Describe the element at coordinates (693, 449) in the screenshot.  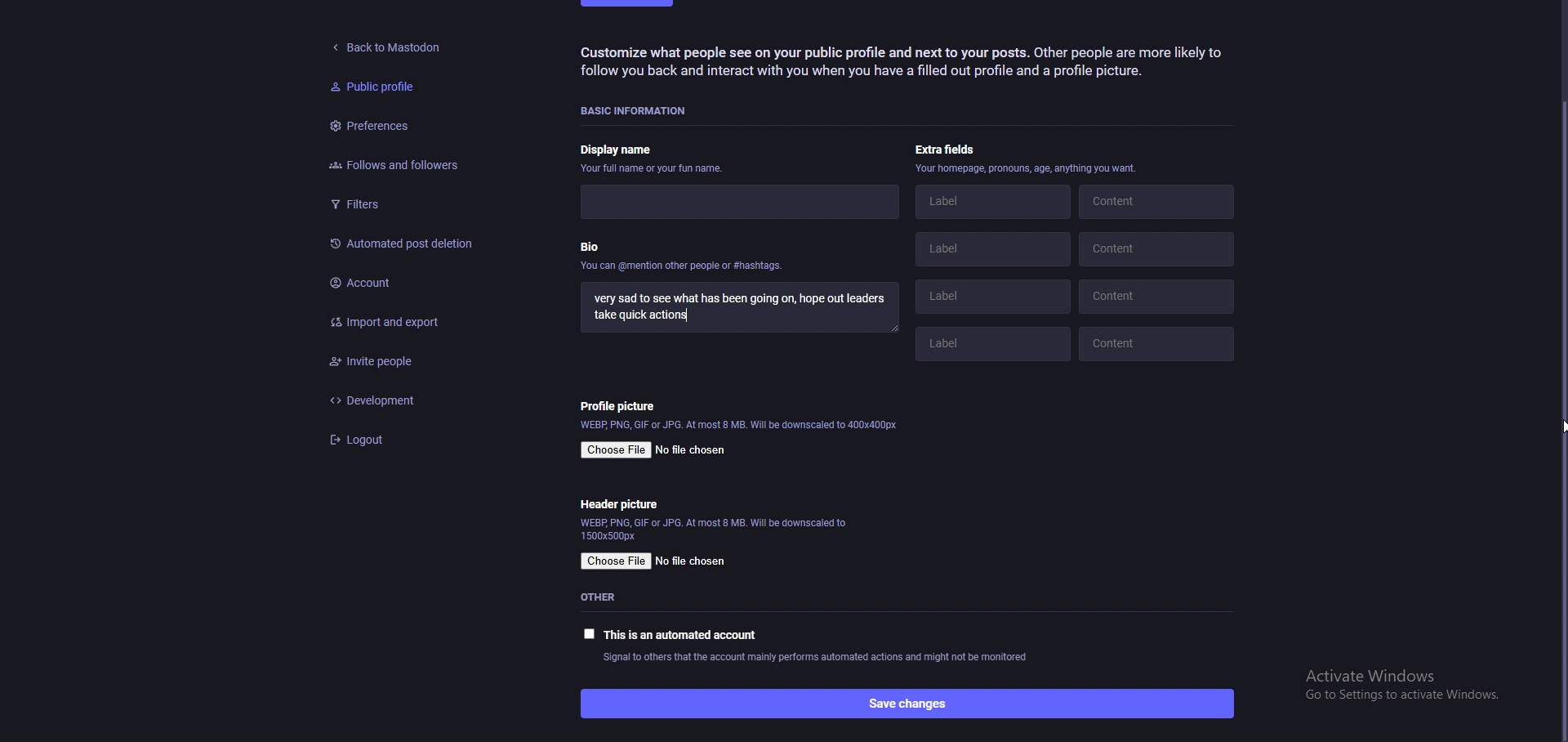
I see `no file chosen` at that location.